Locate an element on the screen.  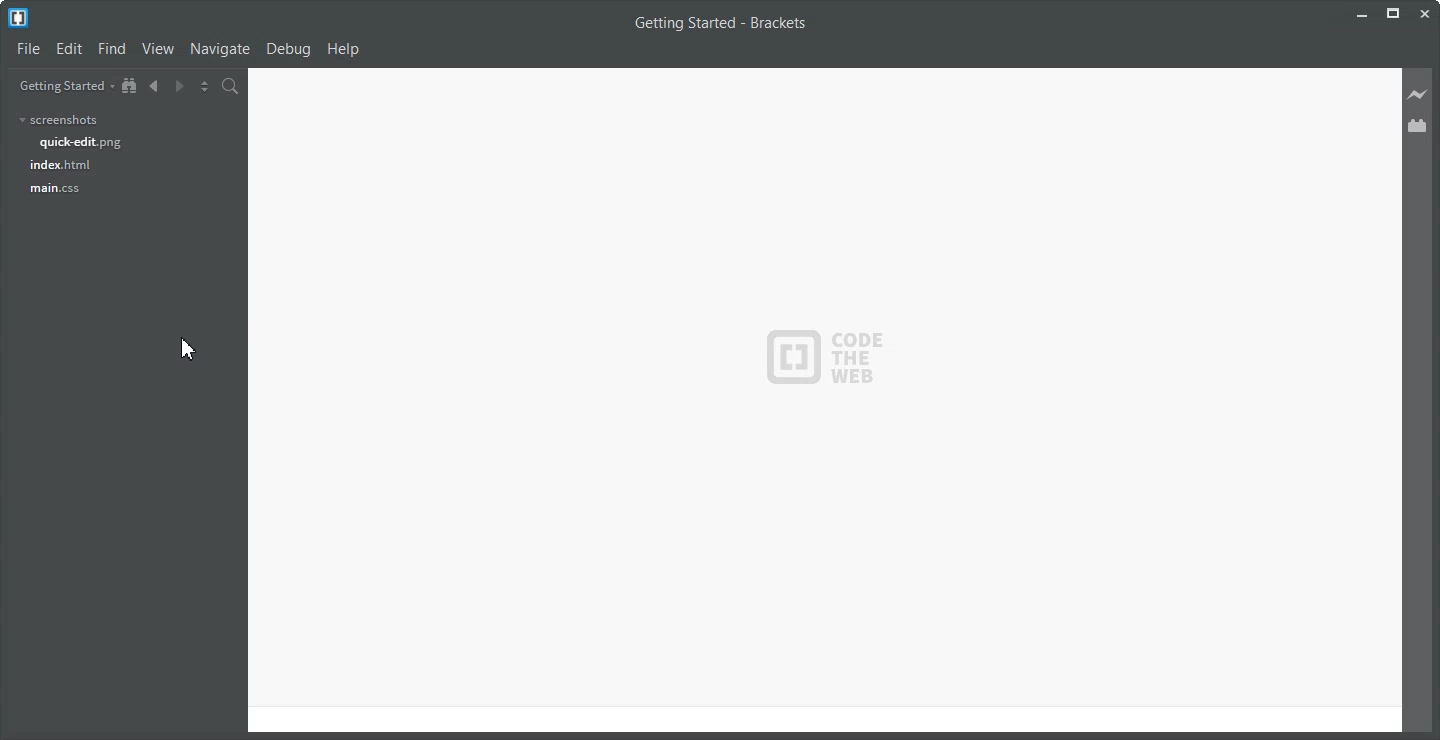
index.html is located at coordinates (60, 165).